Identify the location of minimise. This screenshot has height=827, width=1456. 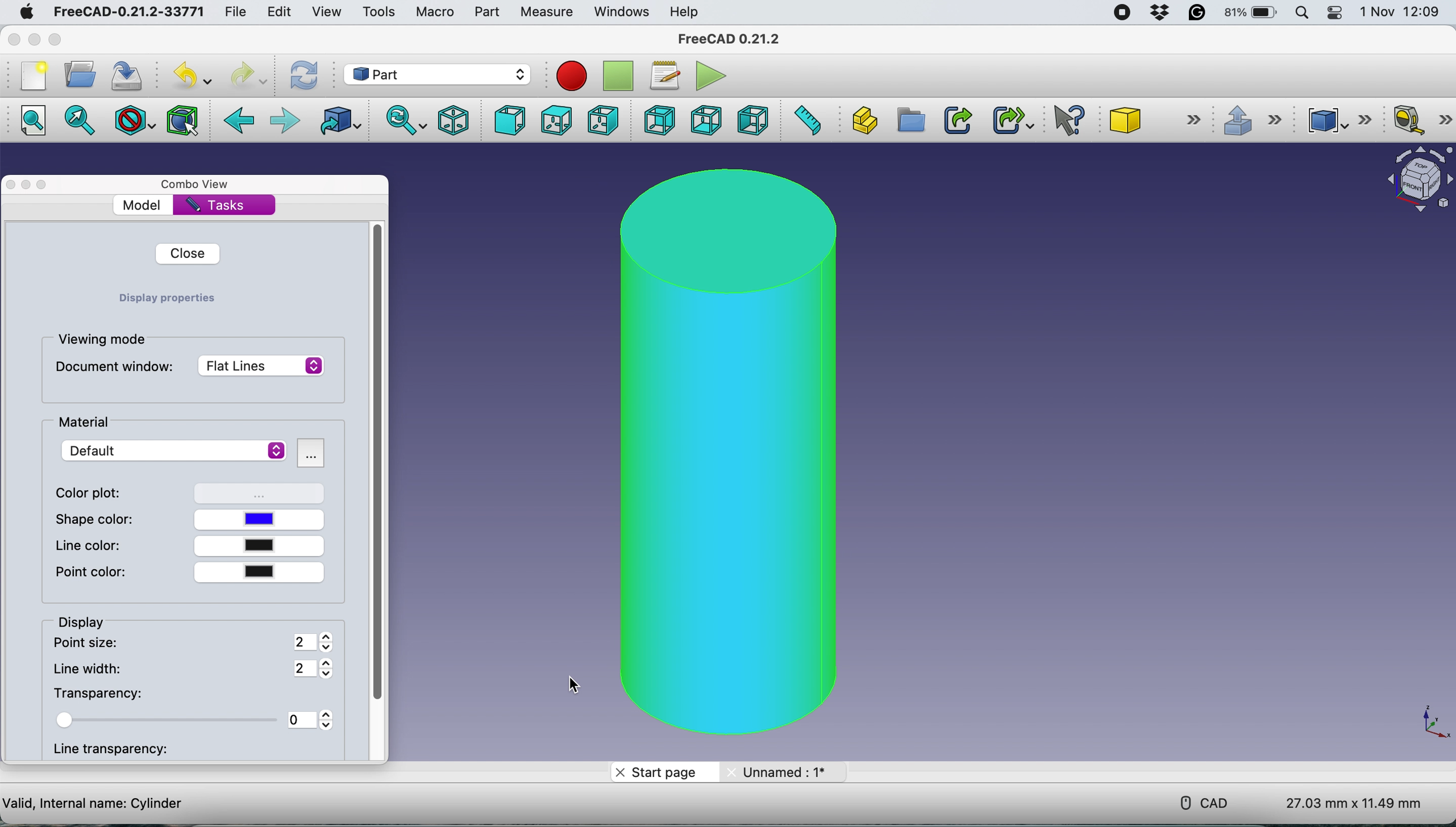
(38, 45).